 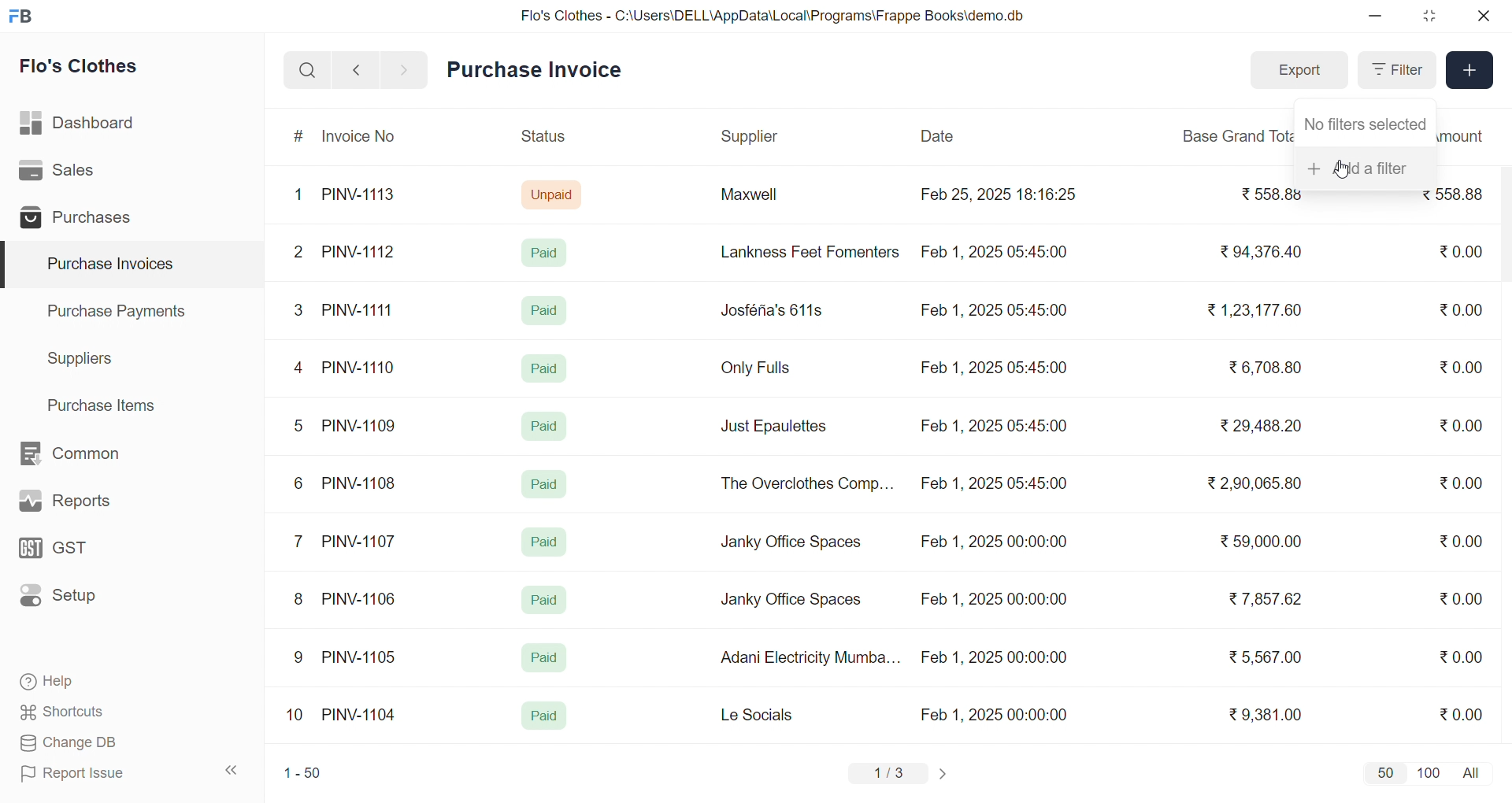 What do you see at coordinates (1266, 715) in the screenshot?
I see `₹9,381.00` at bounding box center [1266, 715].